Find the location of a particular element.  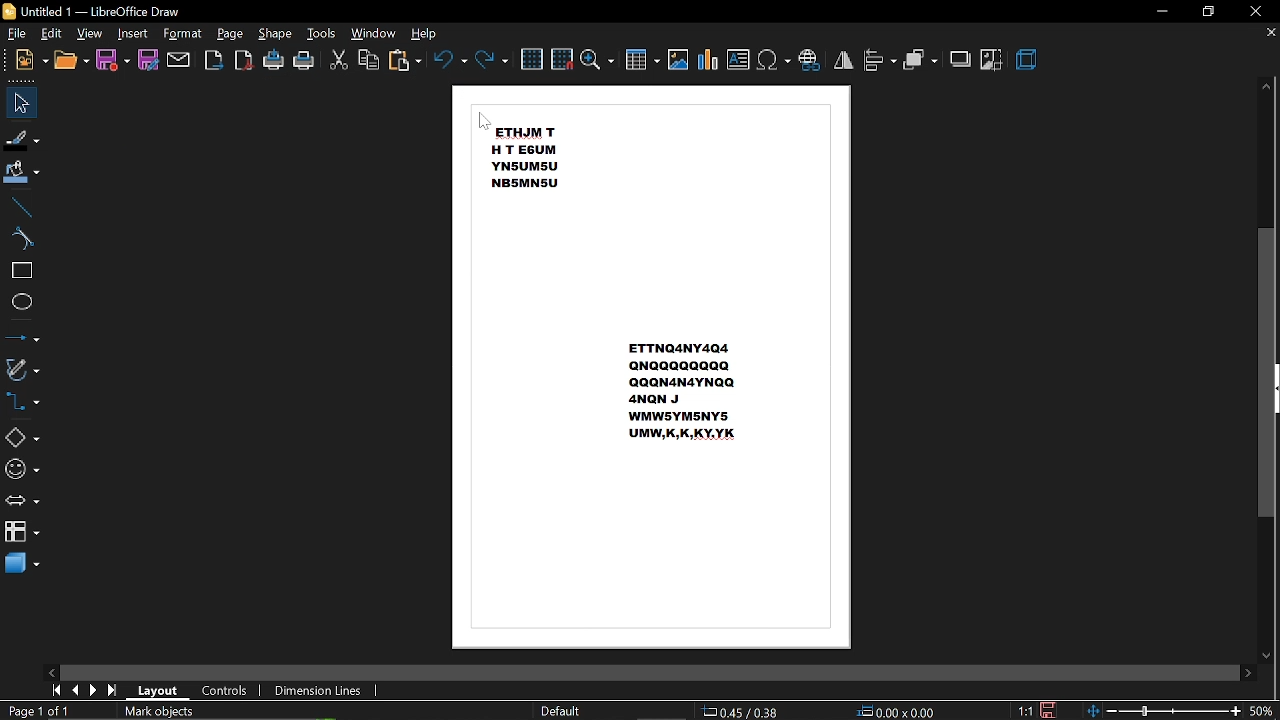

change zoom is located at coordinates (1164, 712).